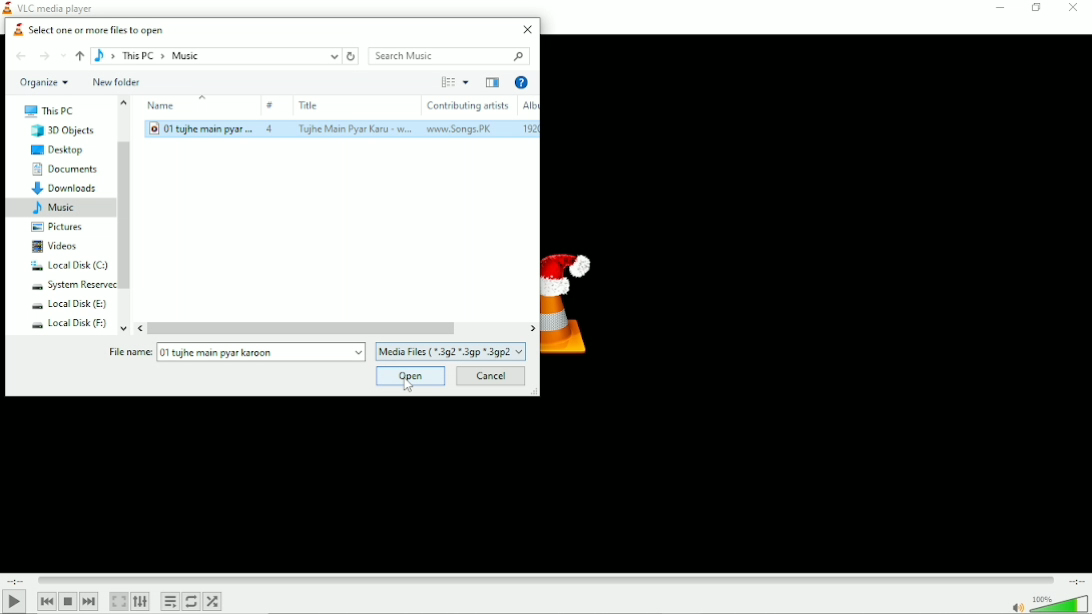 The image size is (1092, 614). Describe the element at coordinates (352, 56) in the screenshot. I see `Refresh` at that location.